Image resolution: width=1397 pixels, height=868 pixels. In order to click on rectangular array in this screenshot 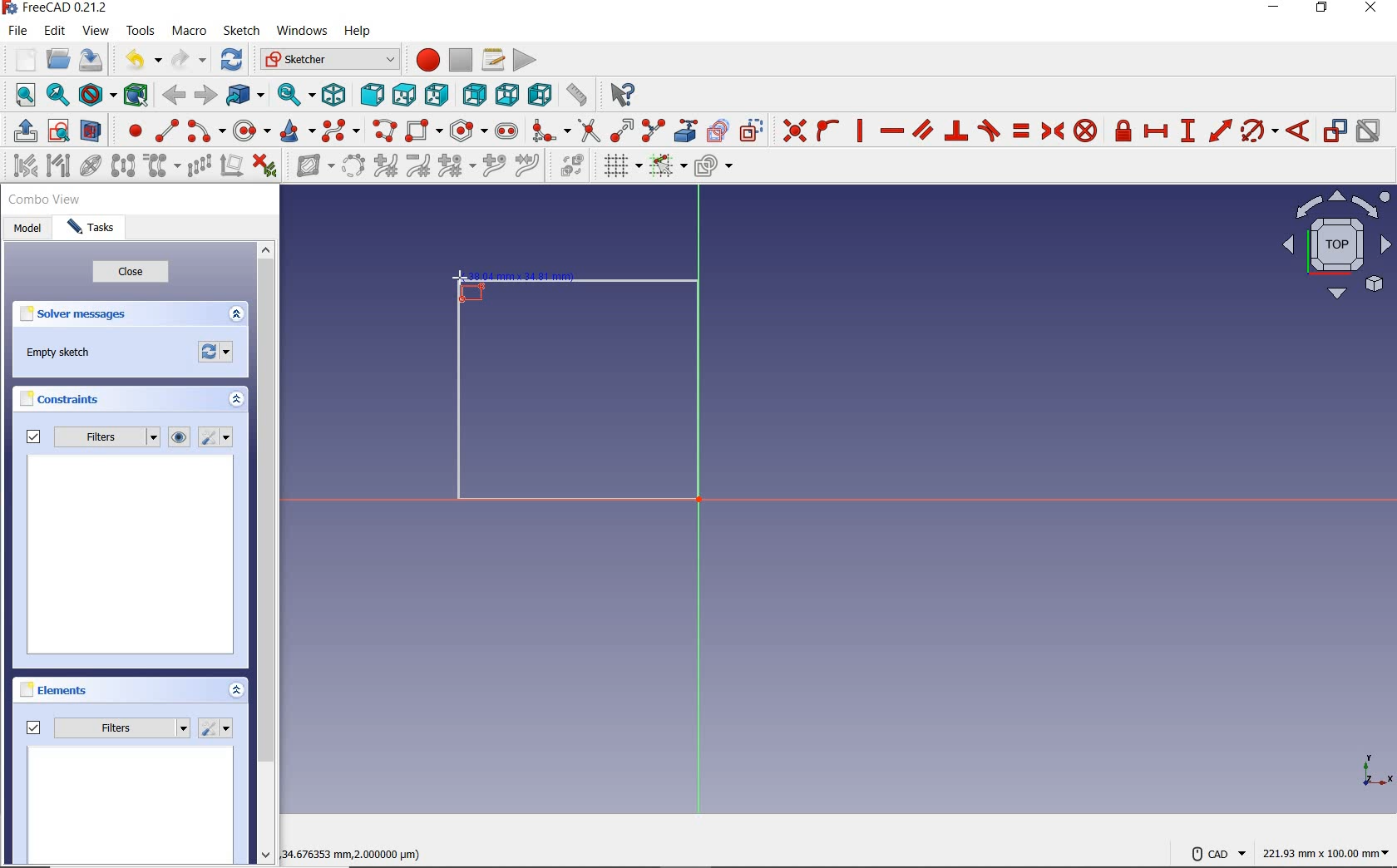, I will do `click(200, 166)`.